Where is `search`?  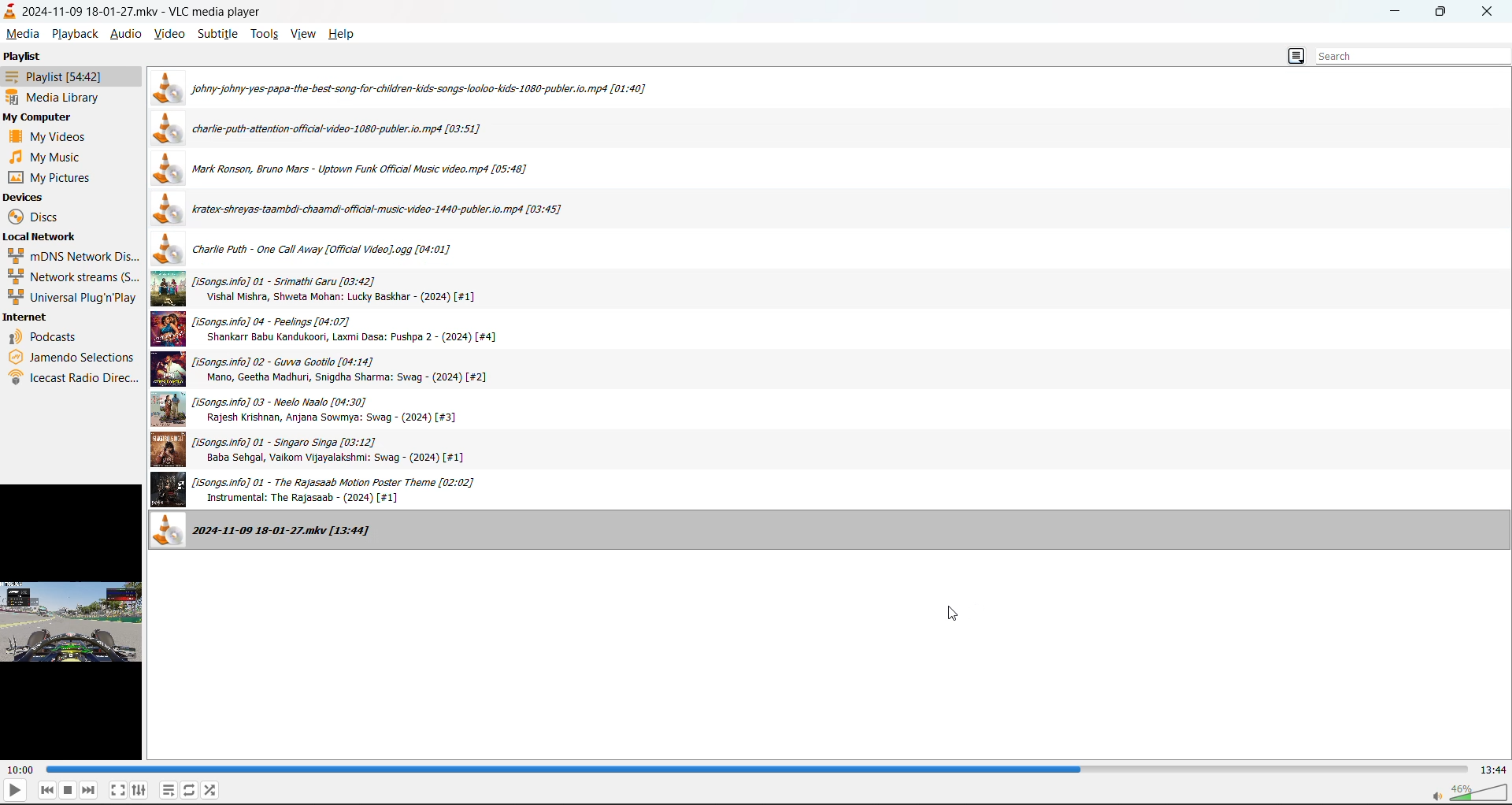
search is located at coordinates (1401, 54).